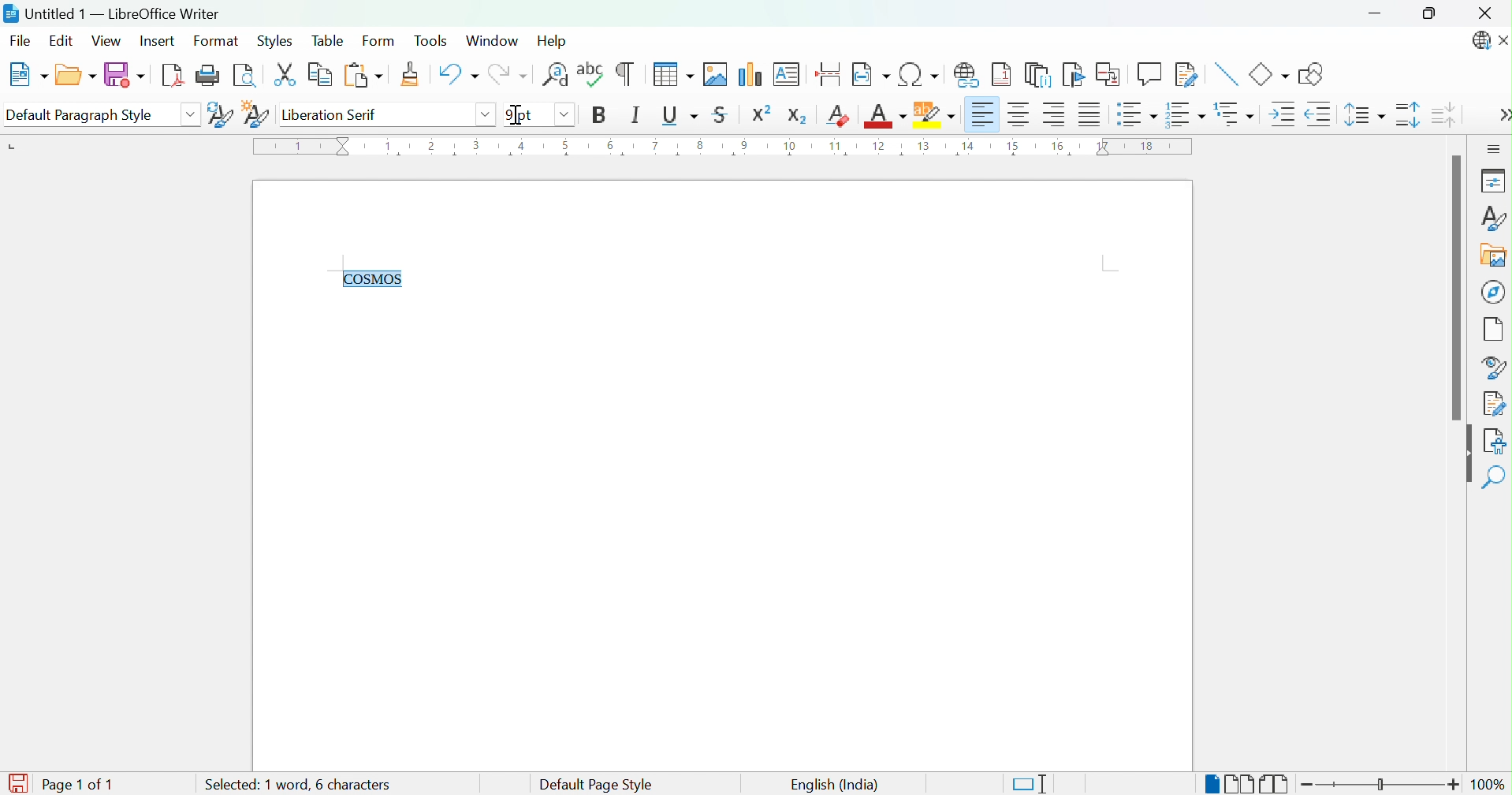 The image size is (1512, 795). Describe the element at coordinates (1187, 114) in the screenshot. I see `Toggle ordered list` at that location.